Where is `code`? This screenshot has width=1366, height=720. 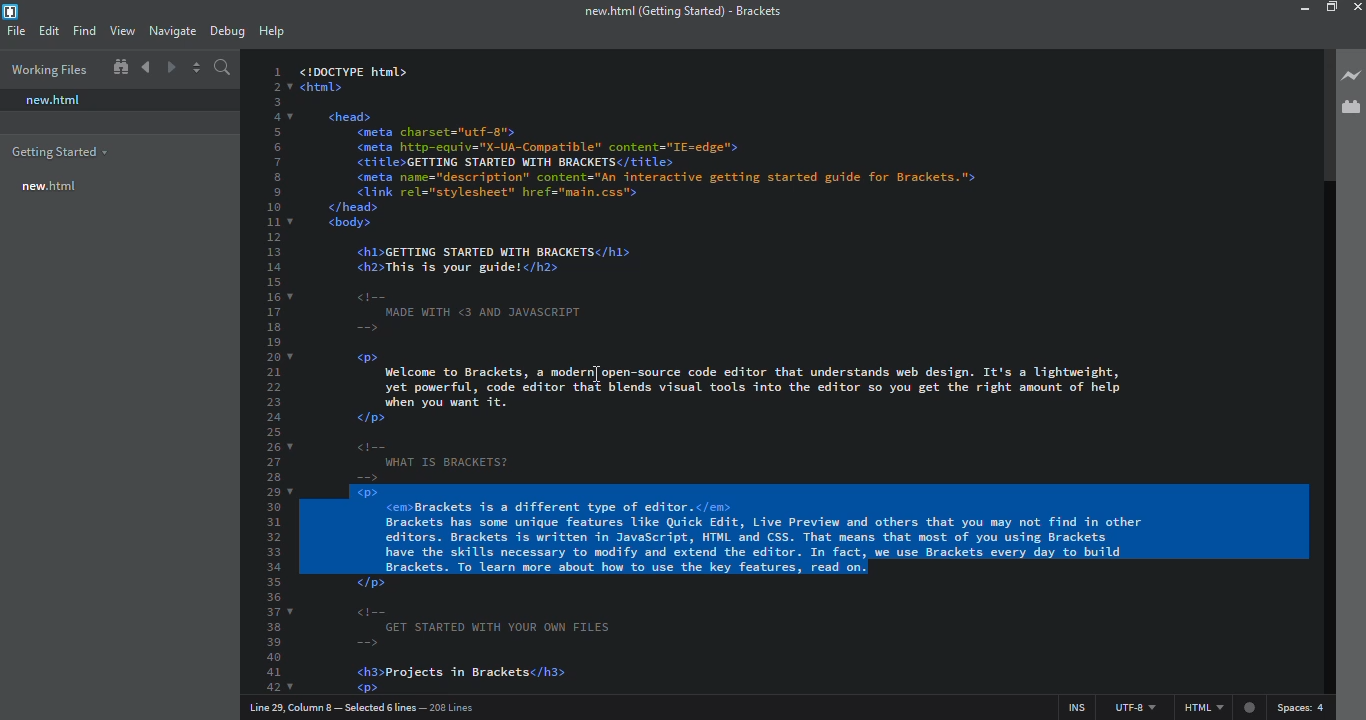
code is located at coordinates (721, 264).